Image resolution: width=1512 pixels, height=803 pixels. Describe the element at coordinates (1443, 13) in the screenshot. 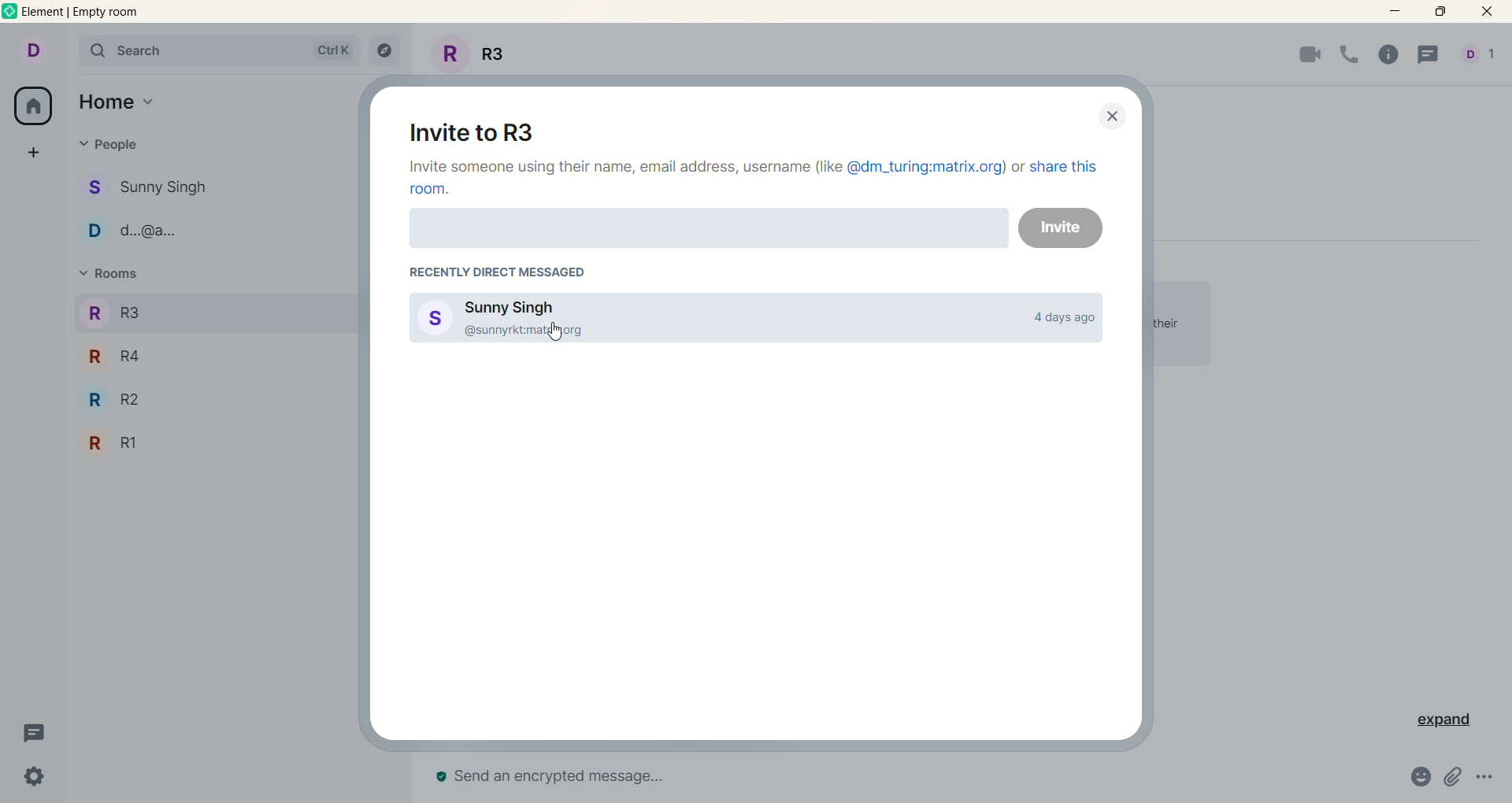

I see `maximize` at that location.